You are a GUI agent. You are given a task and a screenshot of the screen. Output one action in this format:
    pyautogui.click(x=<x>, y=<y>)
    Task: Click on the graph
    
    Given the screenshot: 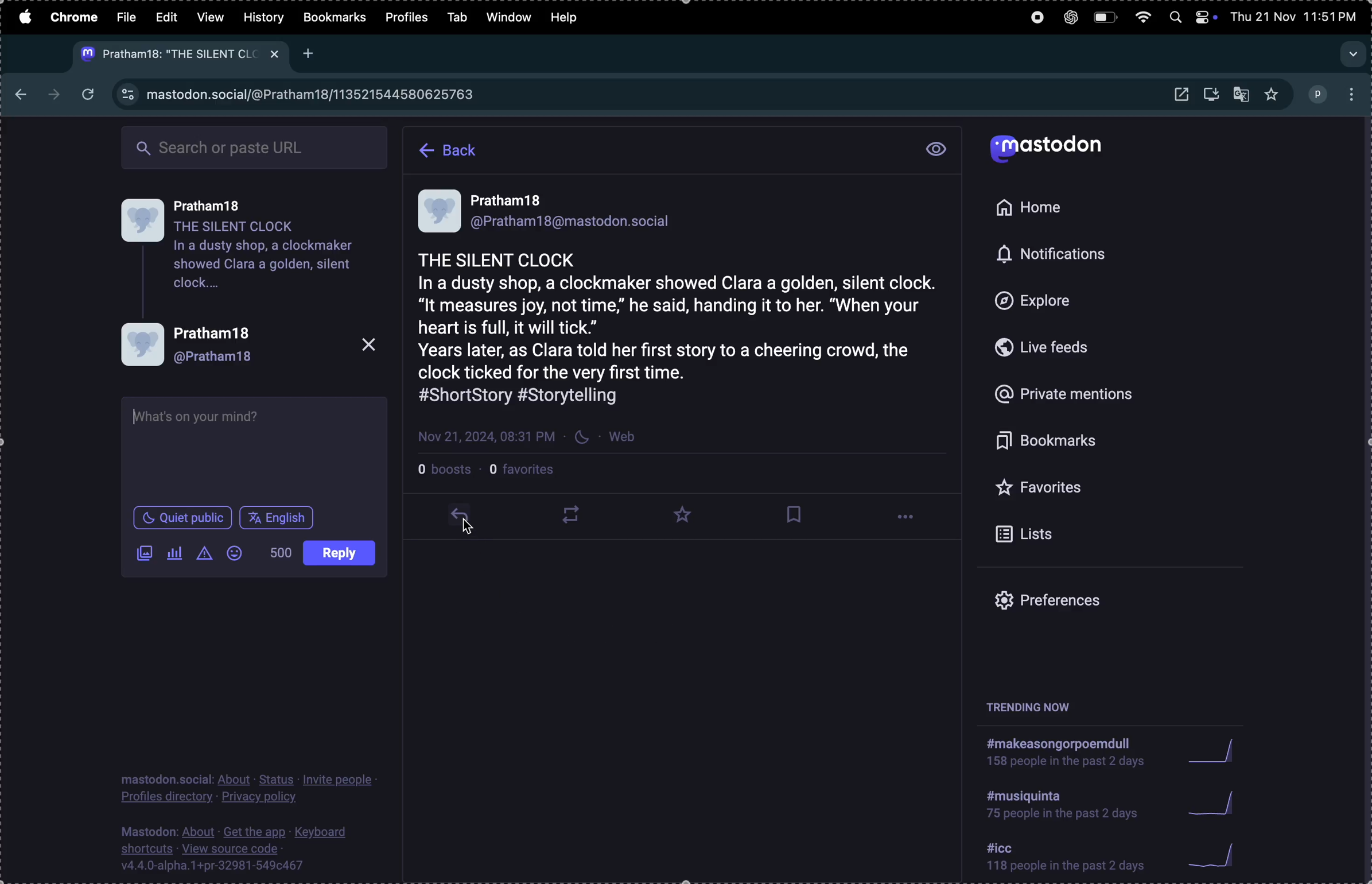 What is the action you would take?
    pyautogui.click(x=1217, y=802)
    